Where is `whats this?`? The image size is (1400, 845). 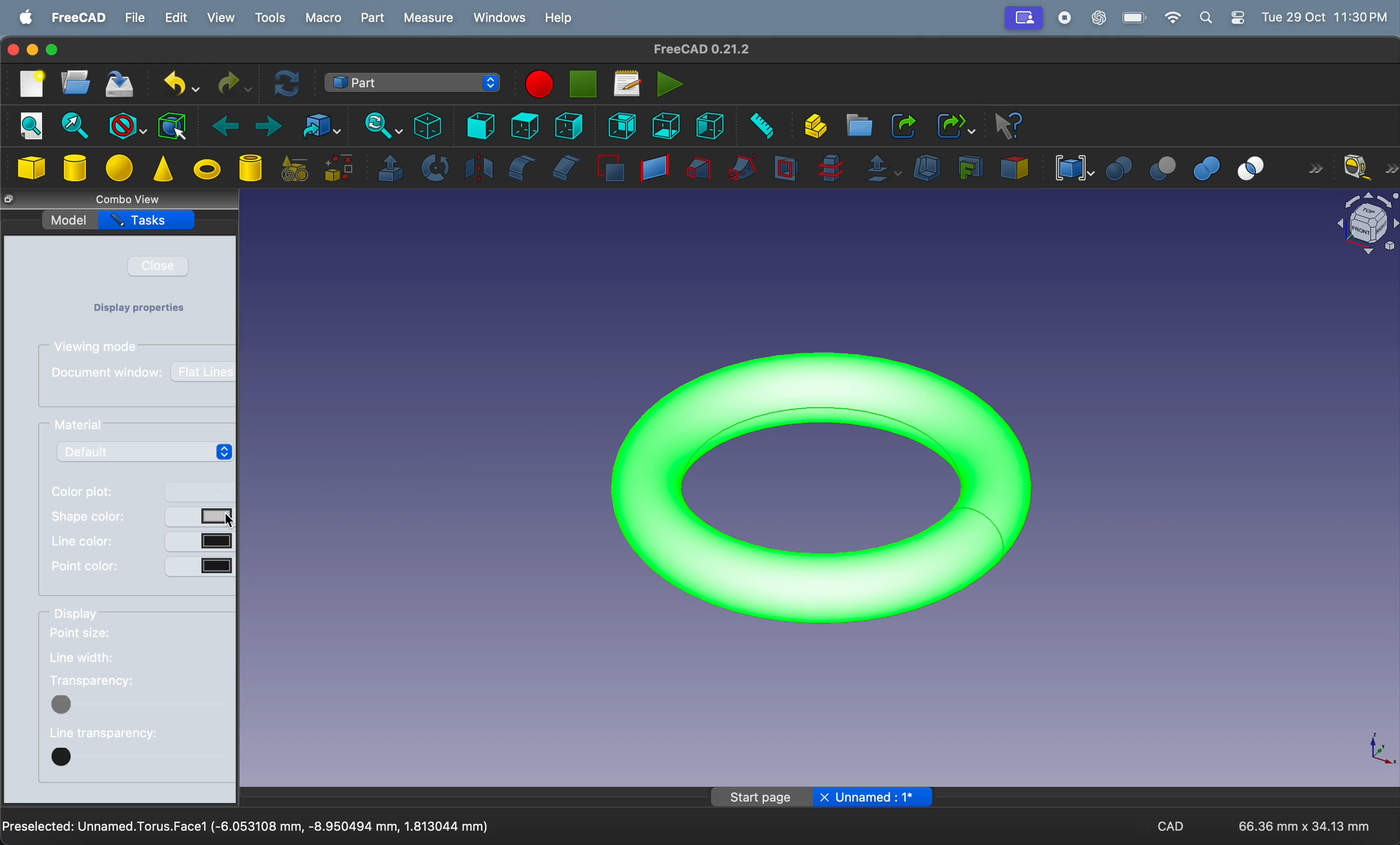
whats this? is located at coordinates (1009, 126).